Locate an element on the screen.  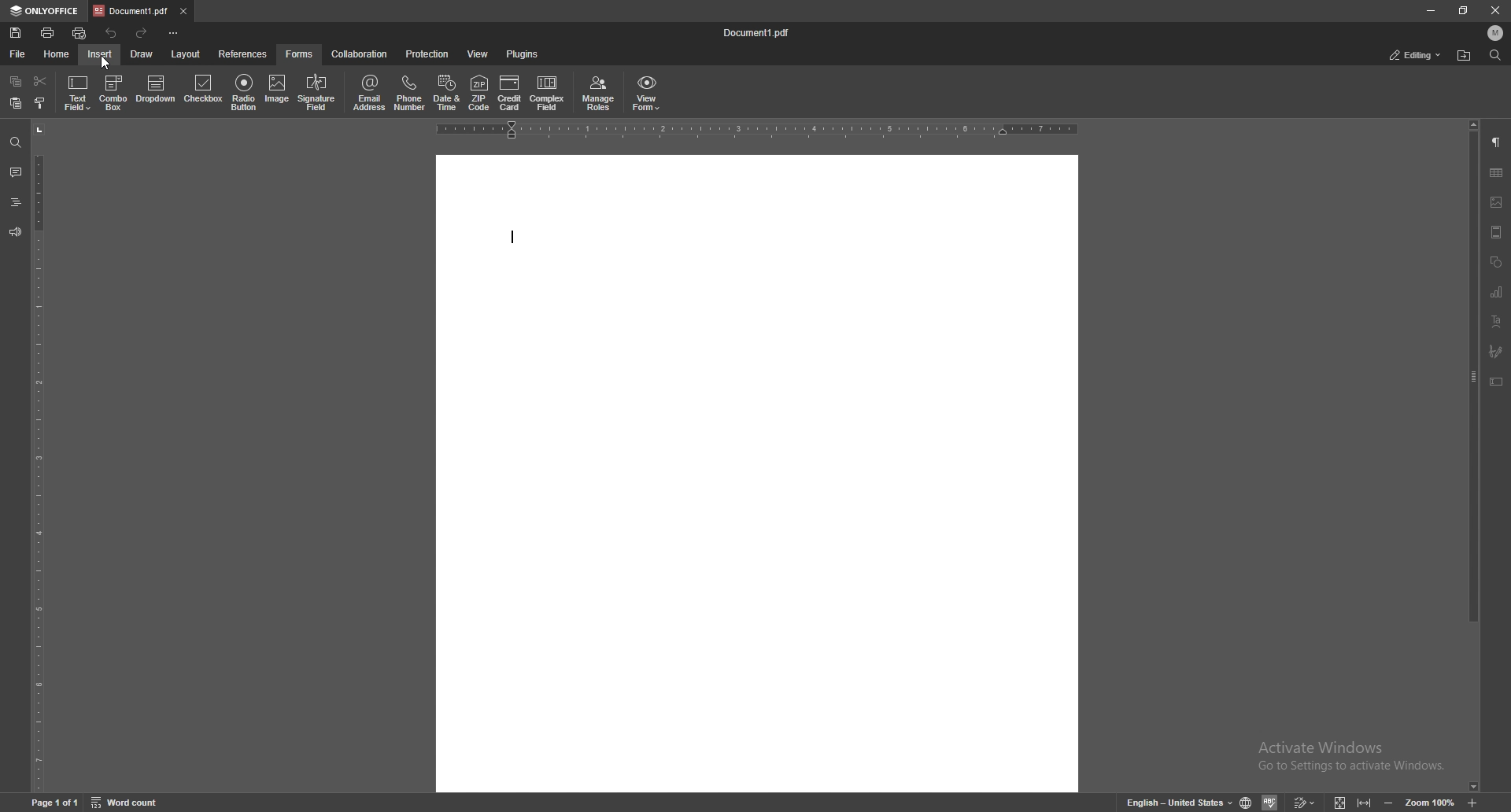
email address is located at coordinates (371, 94).